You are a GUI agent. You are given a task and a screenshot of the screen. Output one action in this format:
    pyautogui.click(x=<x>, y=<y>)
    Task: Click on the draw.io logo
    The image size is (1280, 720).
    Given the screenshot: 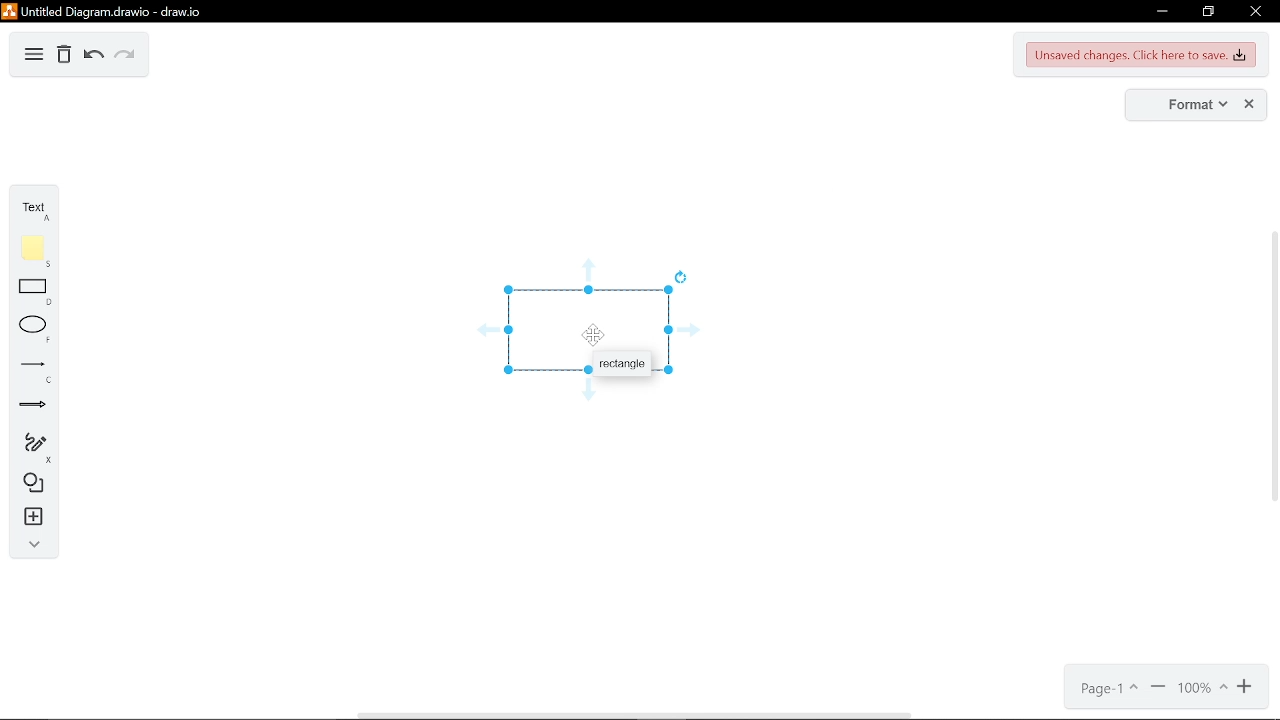 What is the action you would take?
    pyautogui.click(x=9, y=12)
    